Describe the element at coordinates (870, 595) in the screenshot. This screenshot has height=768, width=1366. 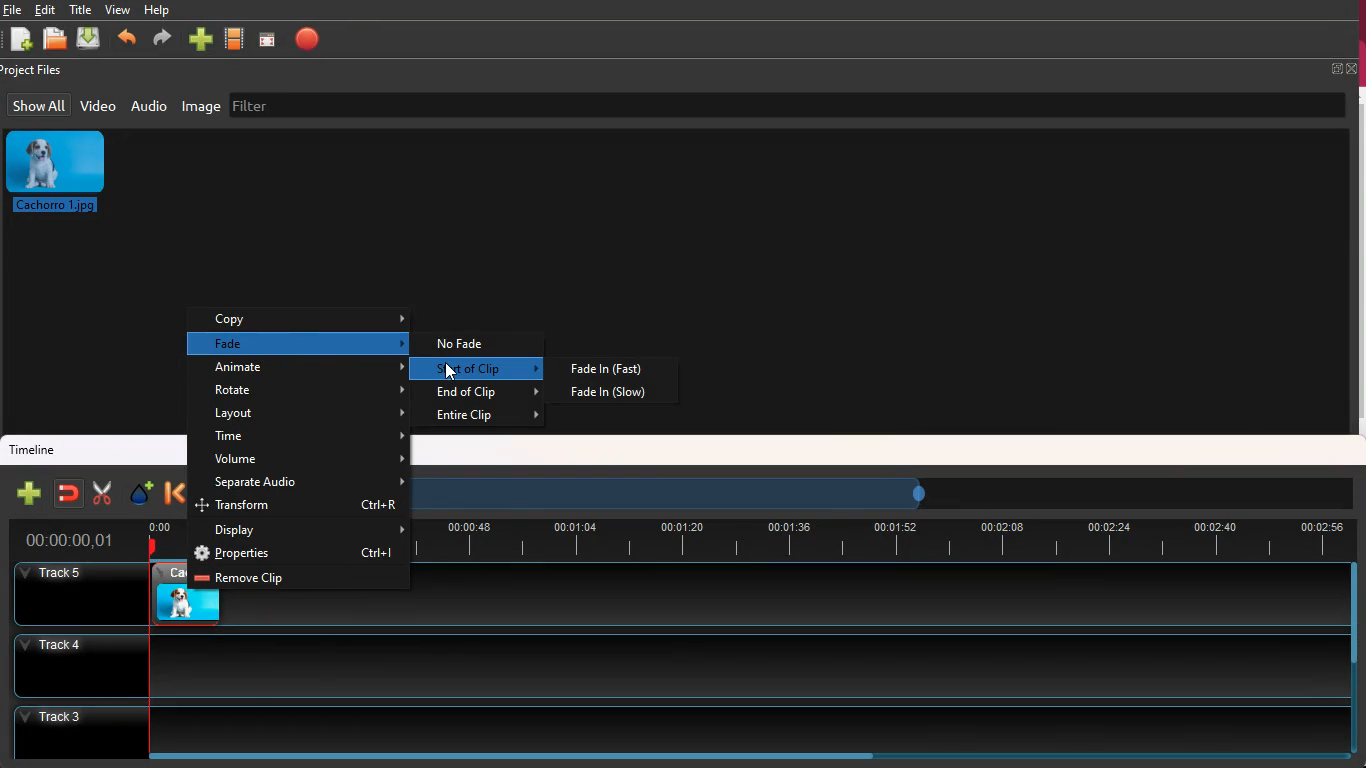
I see `track5` at that location.